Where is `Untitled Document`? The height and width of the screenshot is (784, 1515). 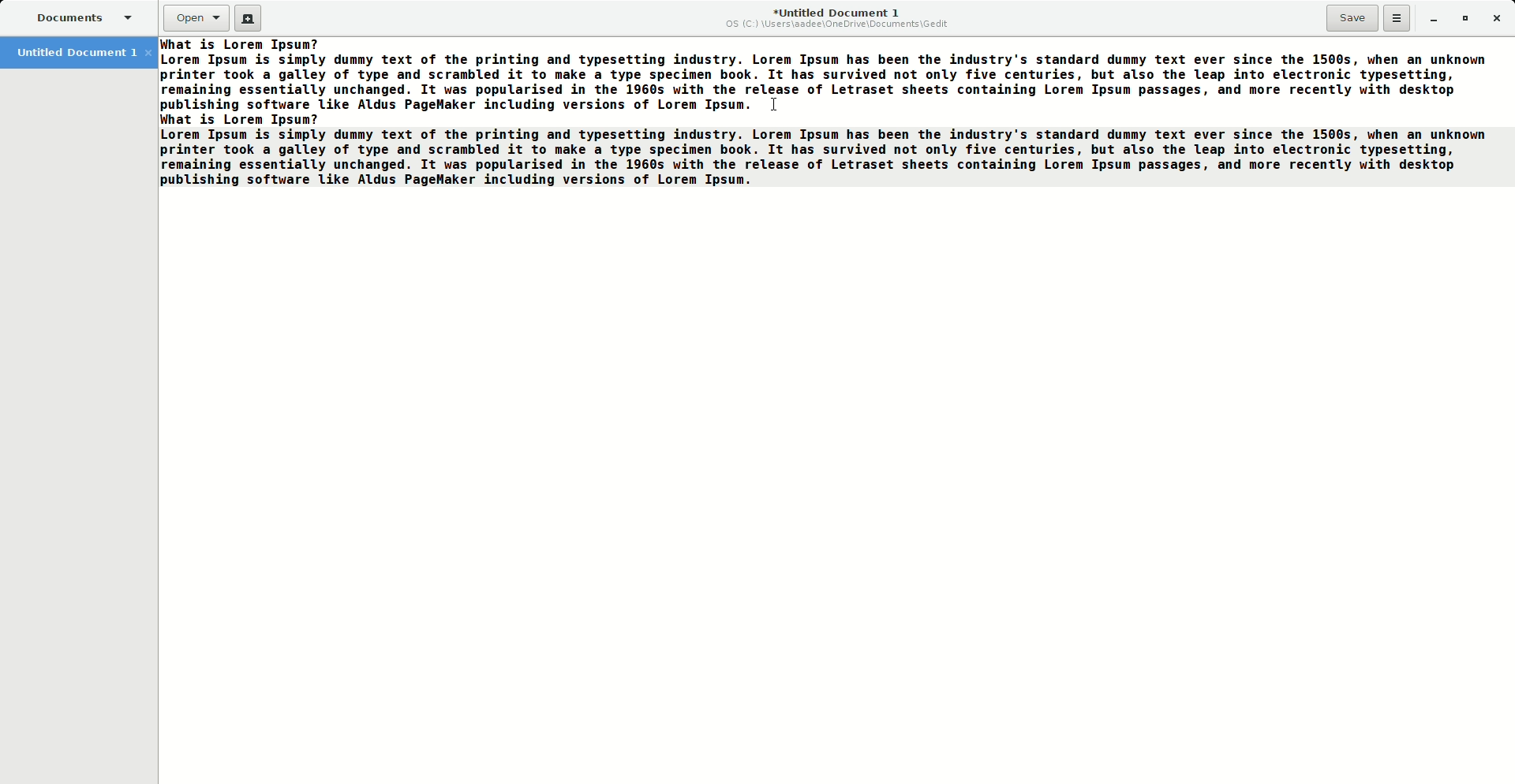 Untitled Document is located at coordinates (82, 51).